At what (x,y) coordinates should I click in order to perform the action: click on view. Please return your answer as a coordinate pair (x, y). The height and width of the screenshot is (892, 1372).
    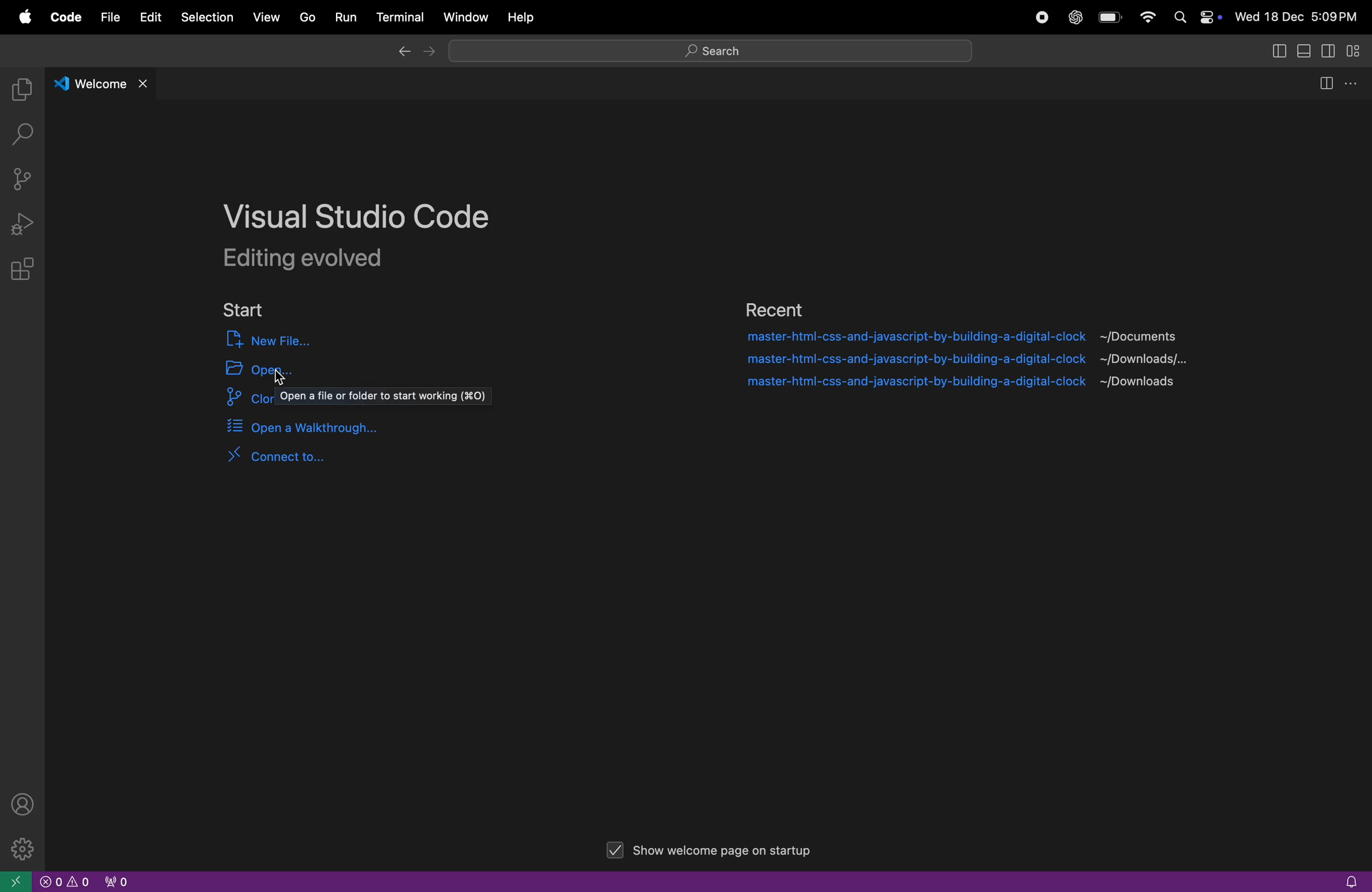
    Looking at the image, I should click on (267, 16).